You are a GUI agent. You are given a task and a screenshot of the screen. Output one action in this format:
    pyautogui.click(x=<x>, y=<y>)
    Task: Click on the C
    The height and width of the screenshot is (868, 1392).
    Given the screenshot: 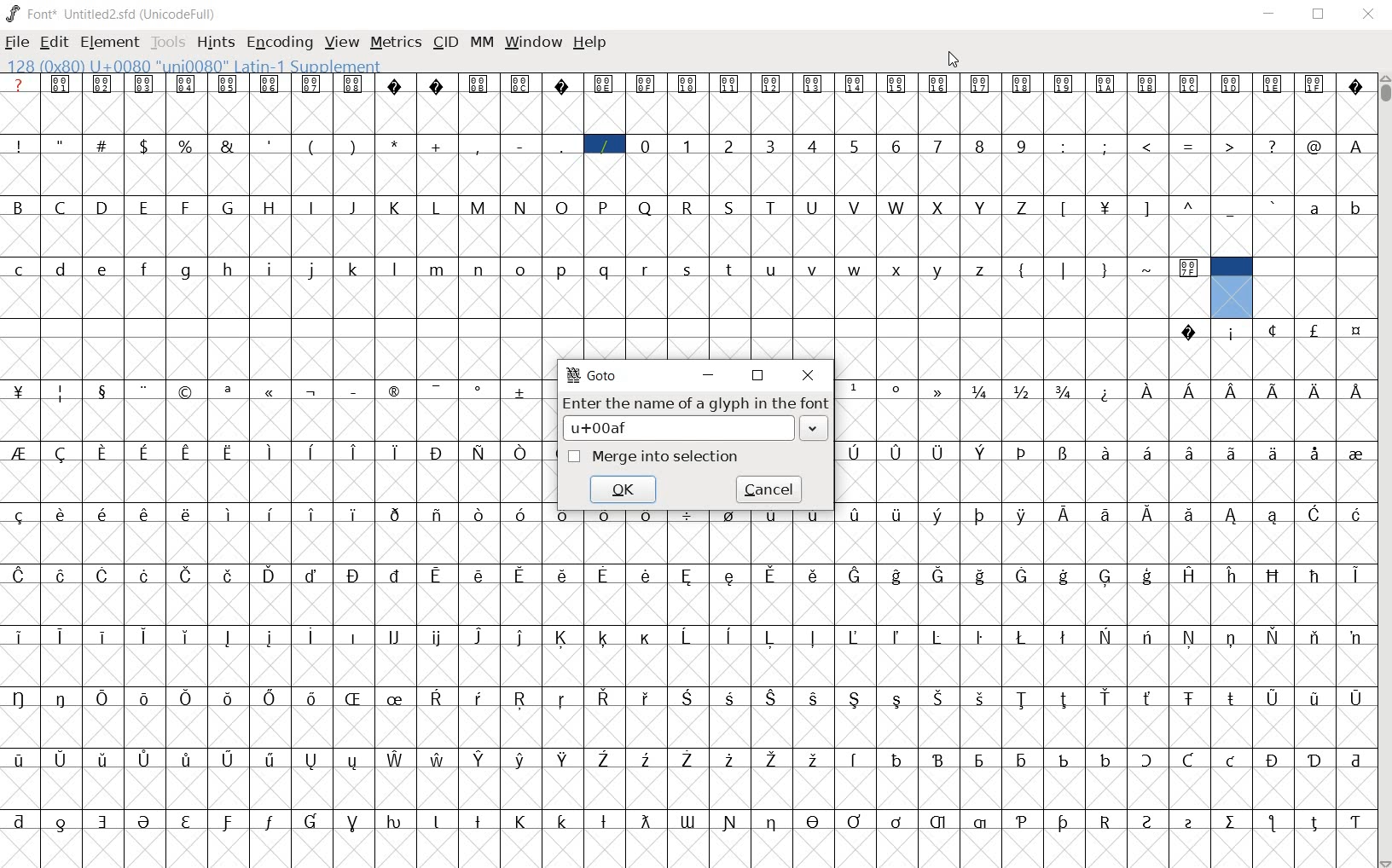 What is the action you would take?
    pyautogui.click(x=64, y=208)
    